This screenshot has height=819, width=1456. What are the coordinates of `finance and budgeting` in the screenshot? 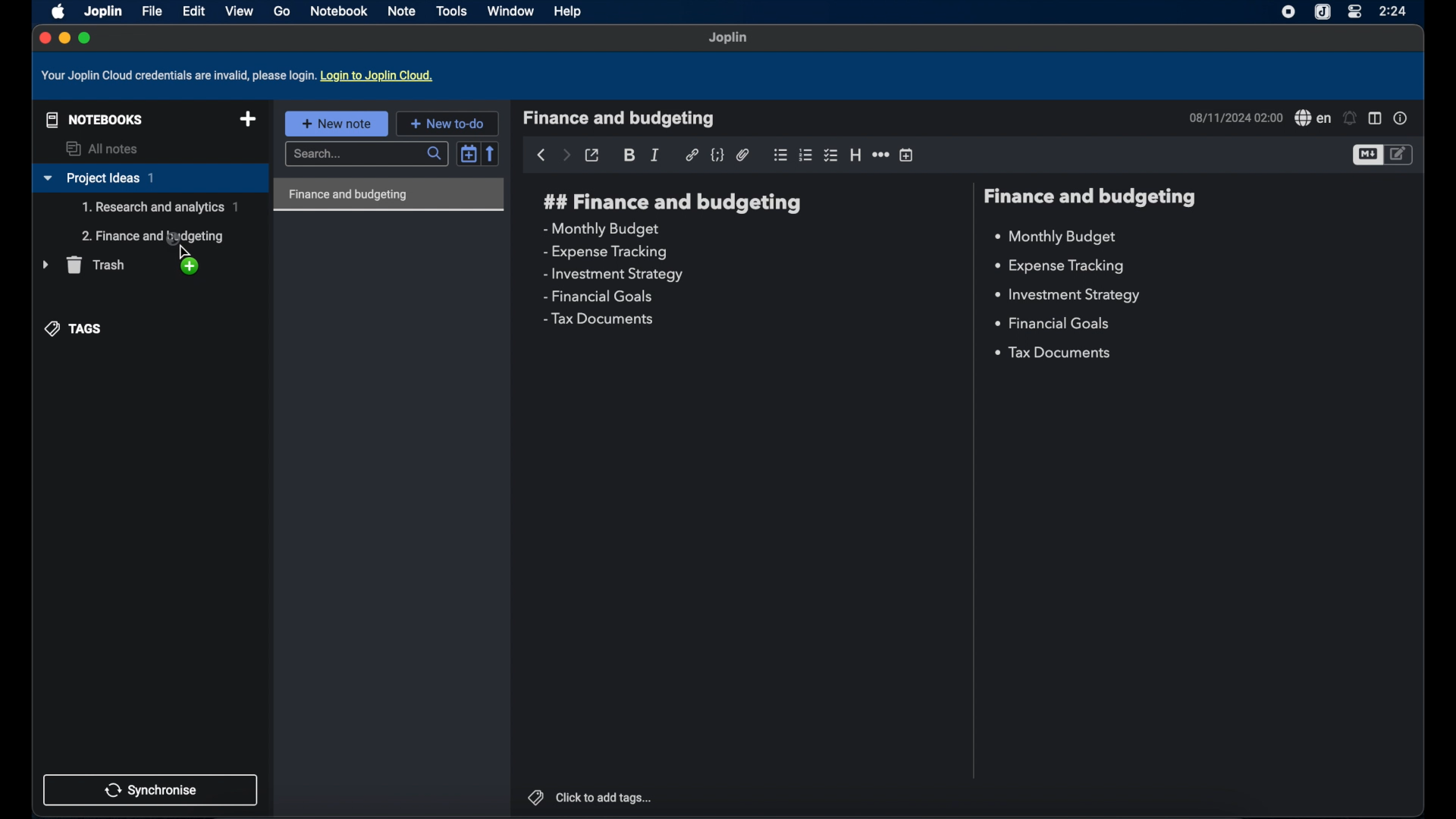 It's located at (1092, 197).